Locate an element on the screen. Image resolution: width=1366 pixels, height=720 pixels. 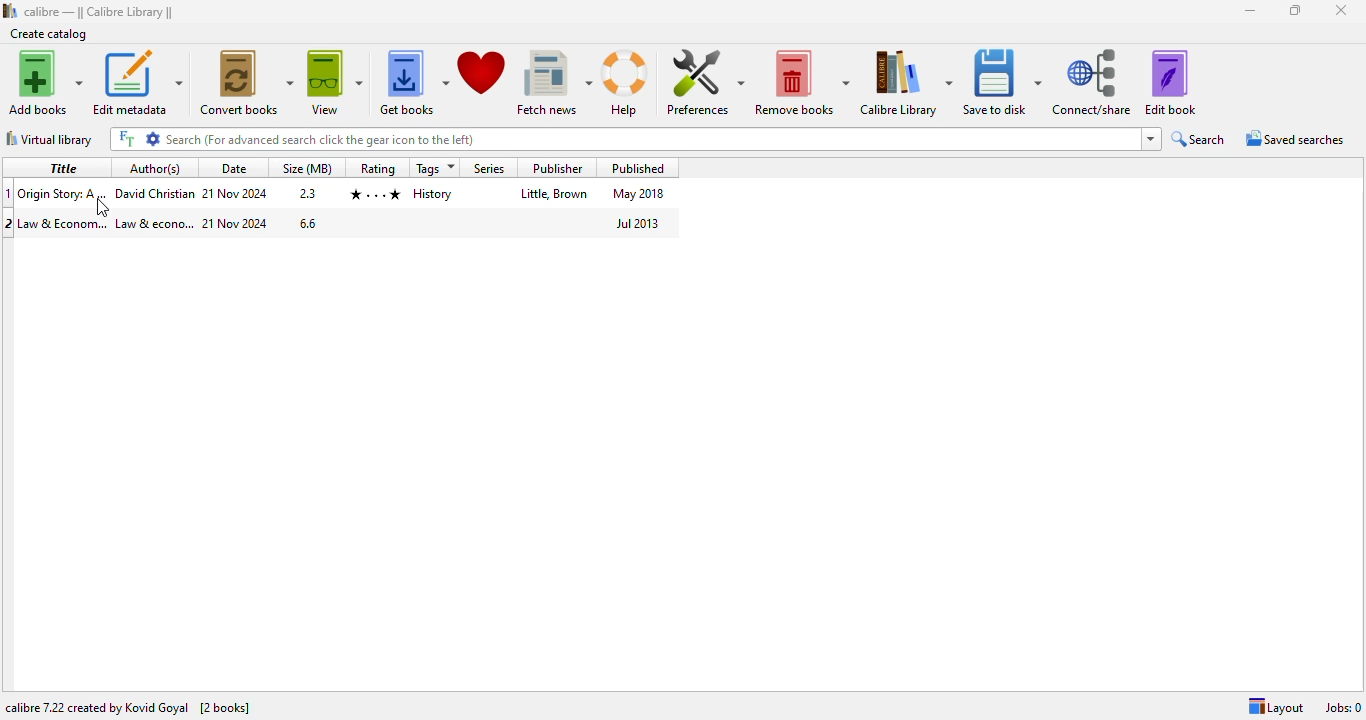
edit metadata is located at coordinates (138, 82).